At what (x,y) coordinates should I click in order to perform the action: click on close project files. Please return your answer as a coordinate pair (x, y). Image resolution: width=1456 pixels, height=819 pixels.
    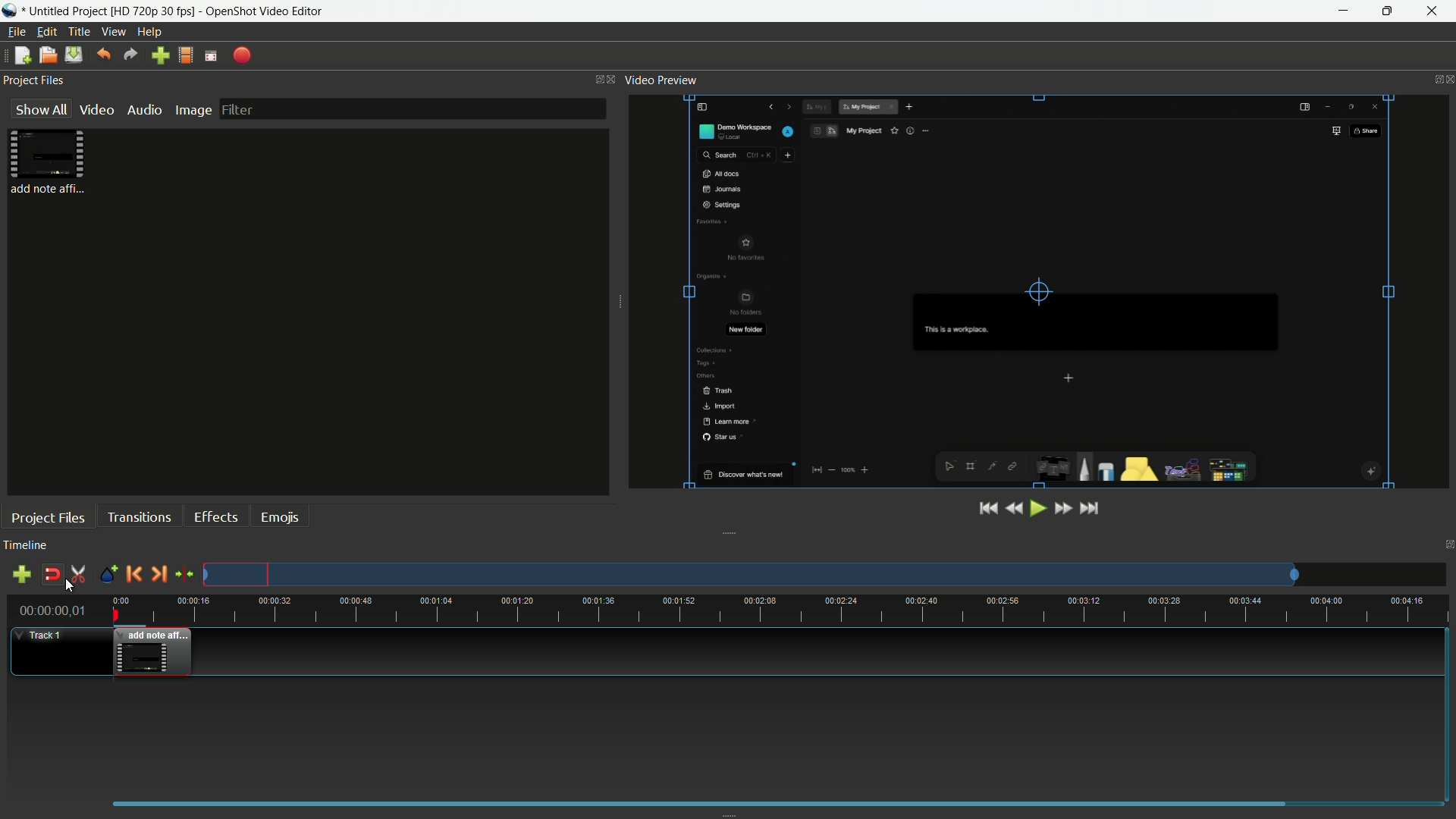
    Looking at the image, I should click on (611, 80).